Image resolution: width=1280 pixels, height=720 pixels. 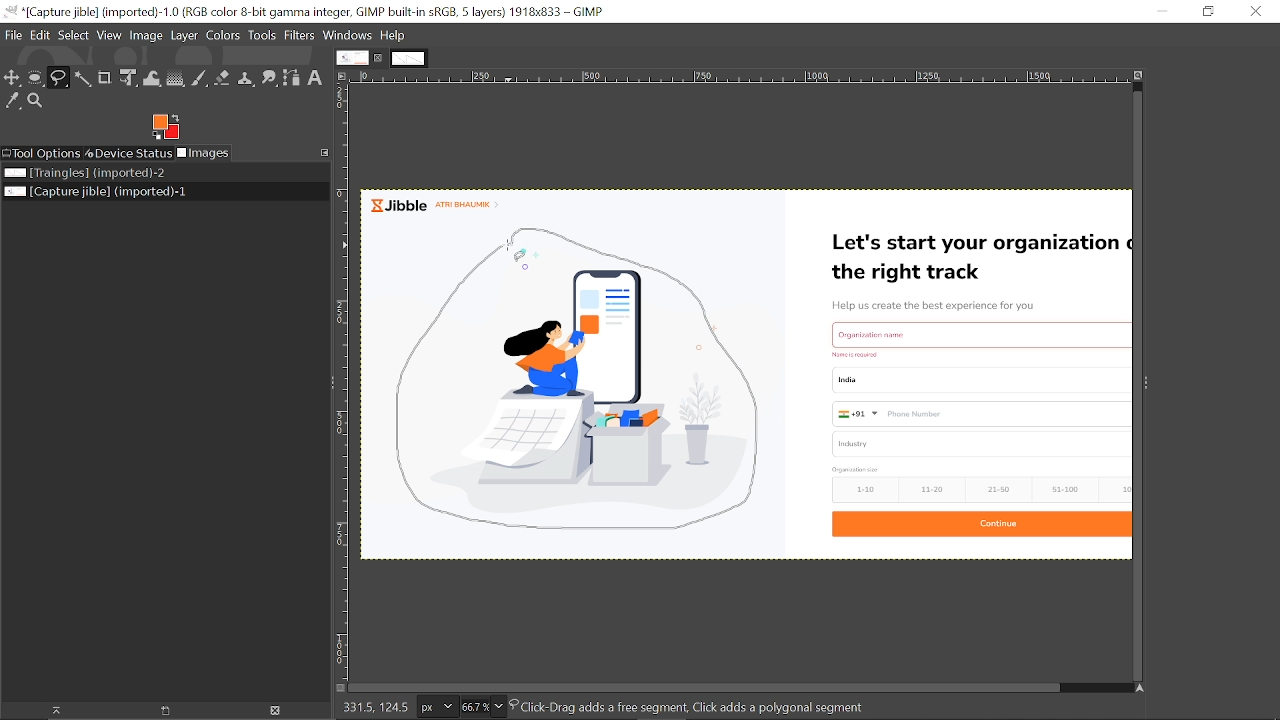 I want to click on File, so click(x=14, y=35).